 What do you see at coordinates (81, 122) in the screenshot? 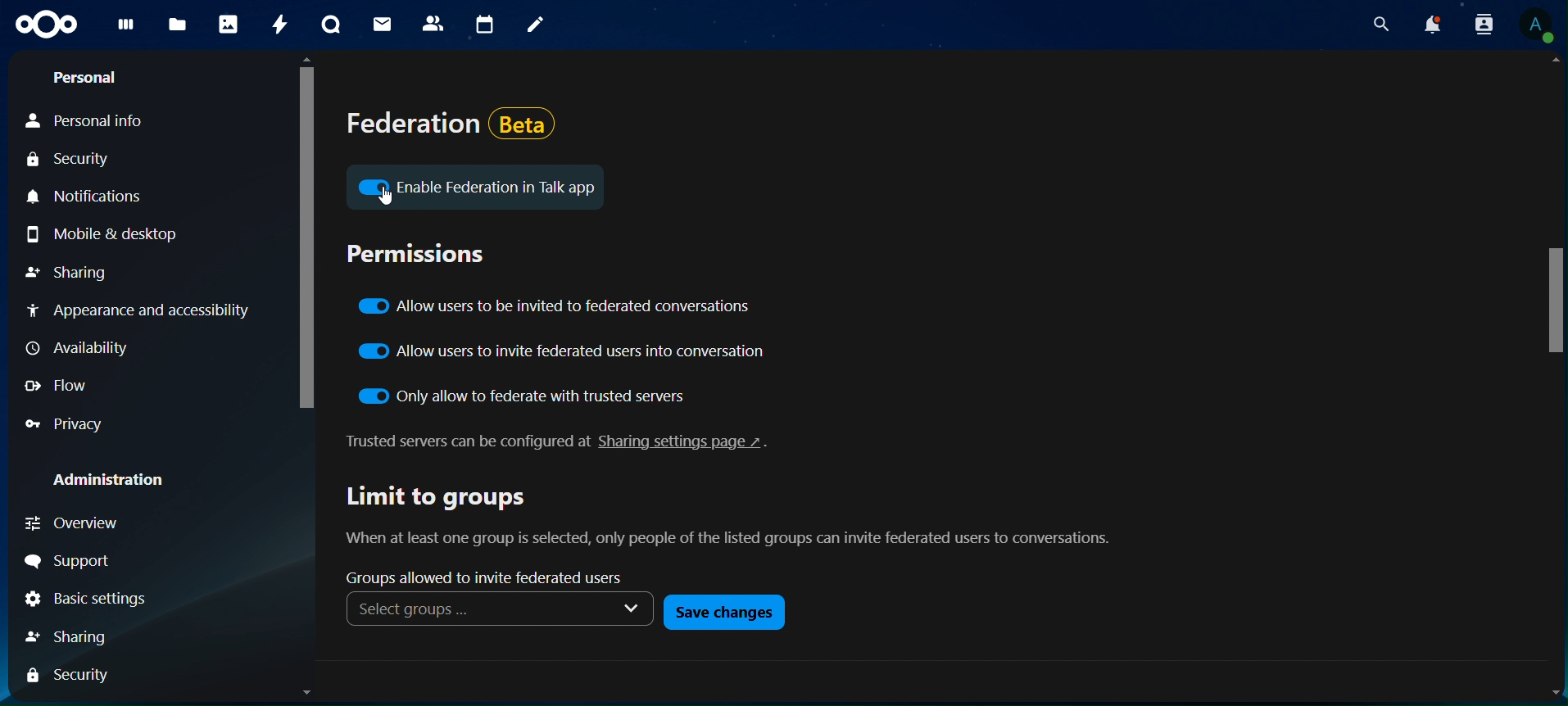
I see `Personal Info` at bounding box center [81, 122].